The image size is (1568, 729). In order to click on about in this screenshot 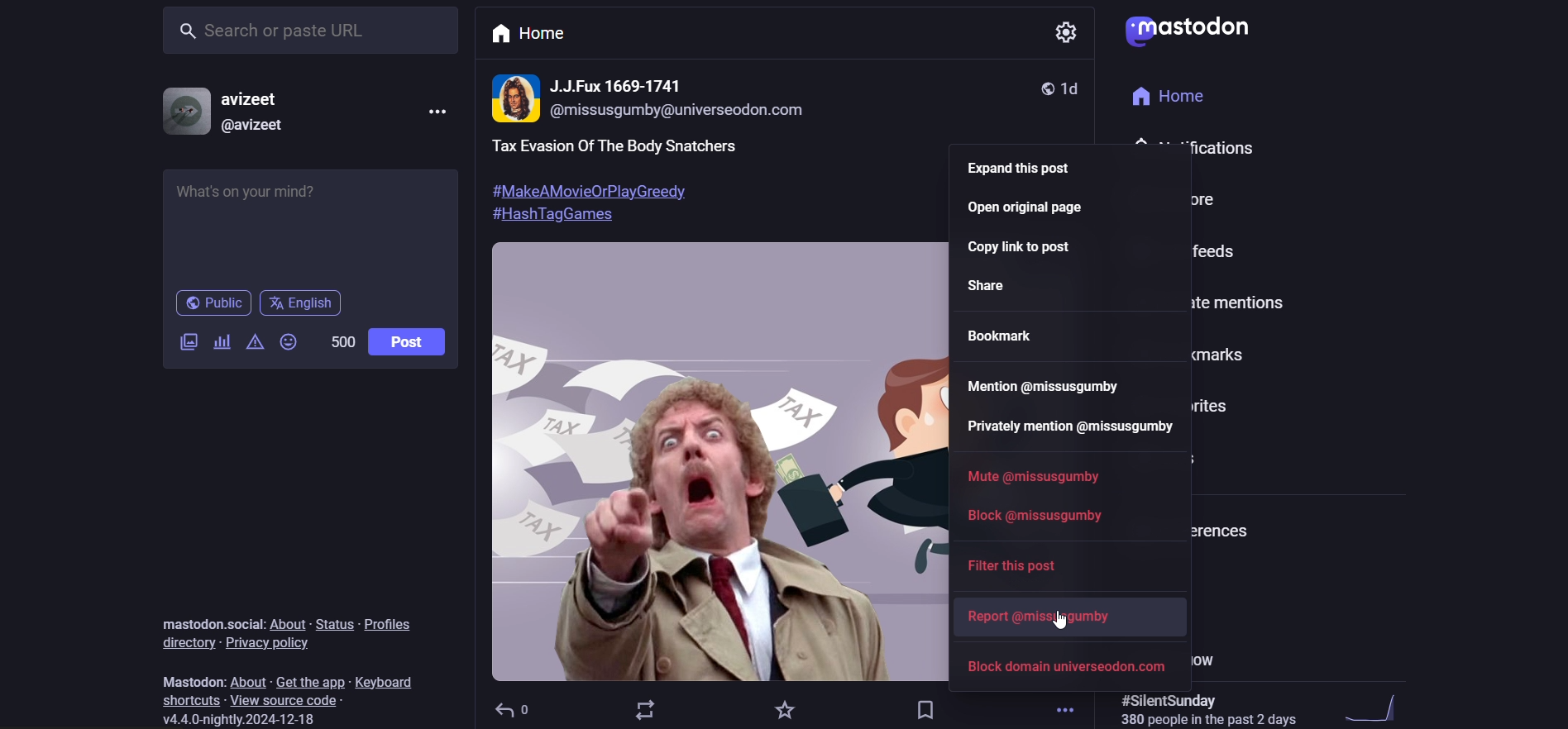, I will do `click(288, 622)`.